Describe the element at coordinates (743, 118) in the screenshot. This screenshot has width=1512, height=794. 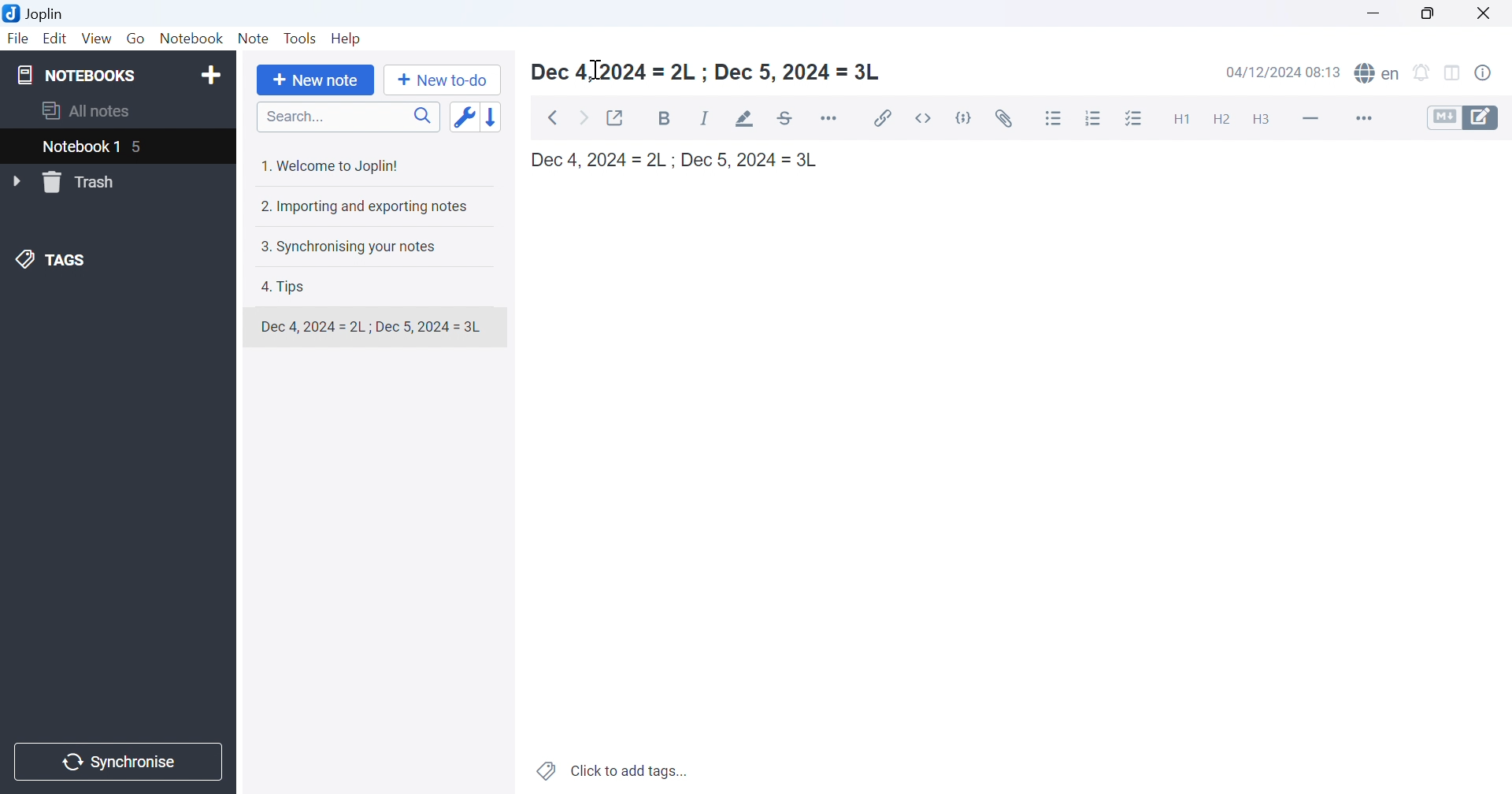
I see `Highlight` at that location.